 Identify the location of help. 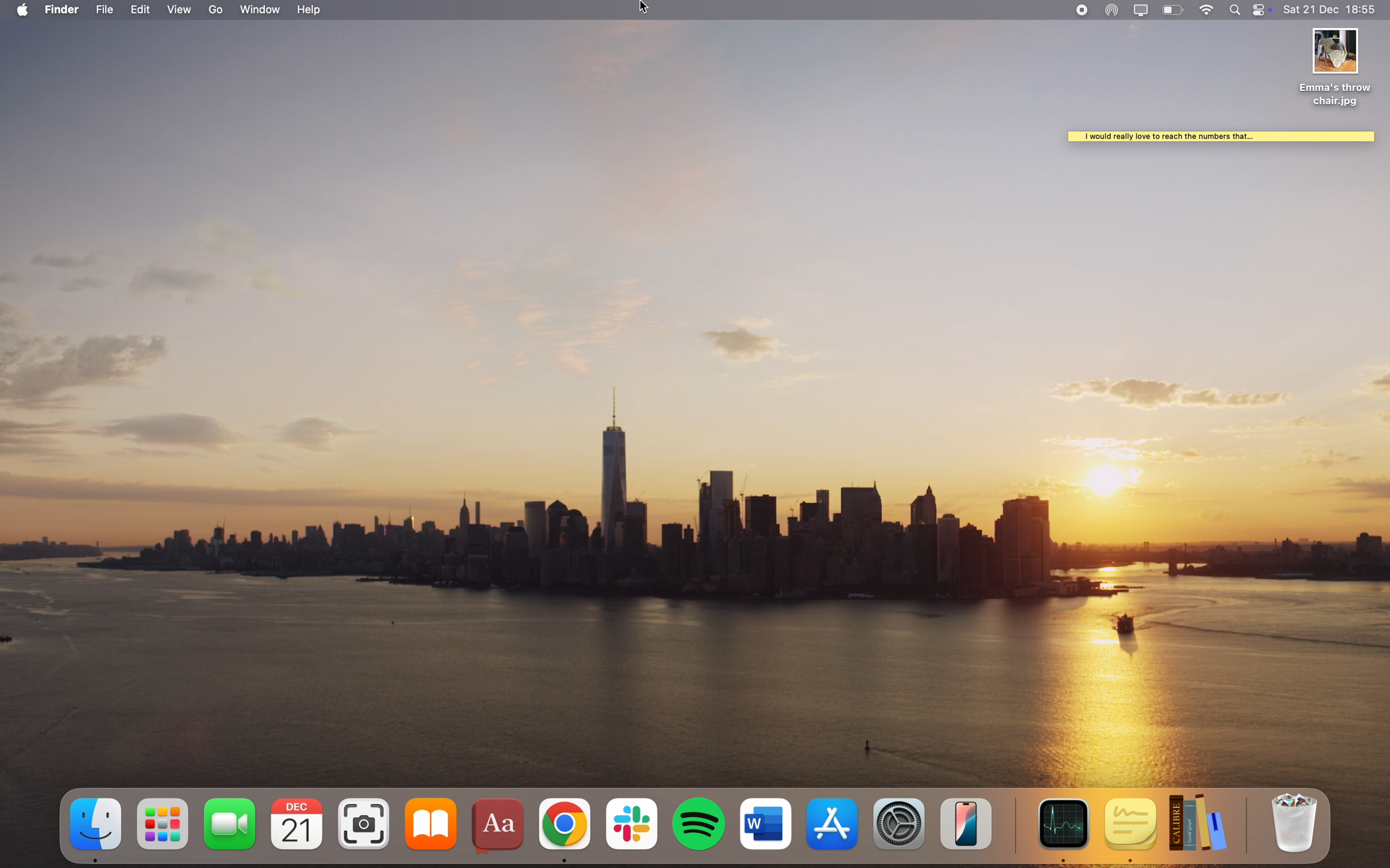
(310, 9).